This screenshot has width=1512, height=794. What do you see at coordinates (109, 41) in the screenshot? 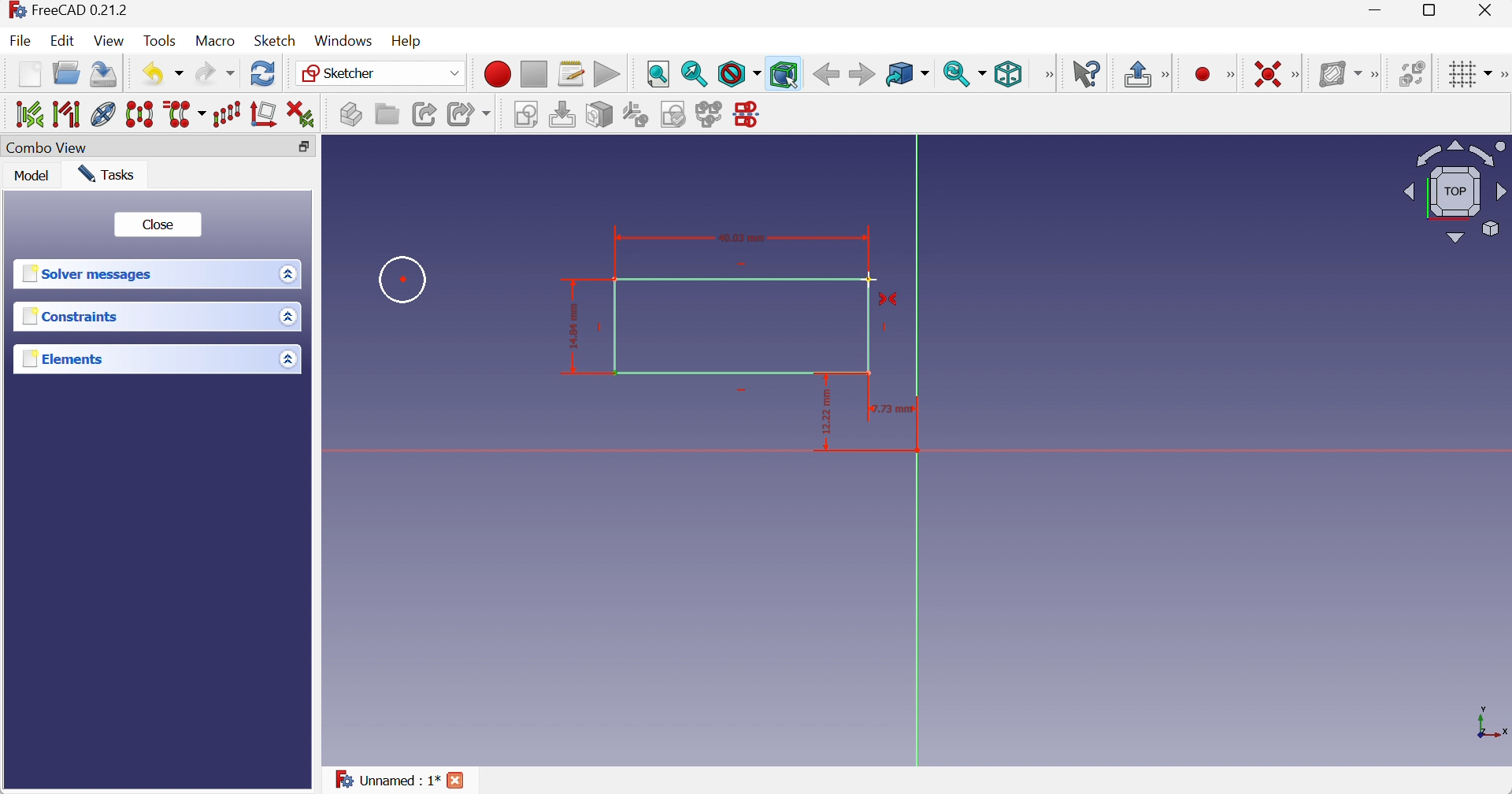
I see `View` at bounding box center [109, 41].